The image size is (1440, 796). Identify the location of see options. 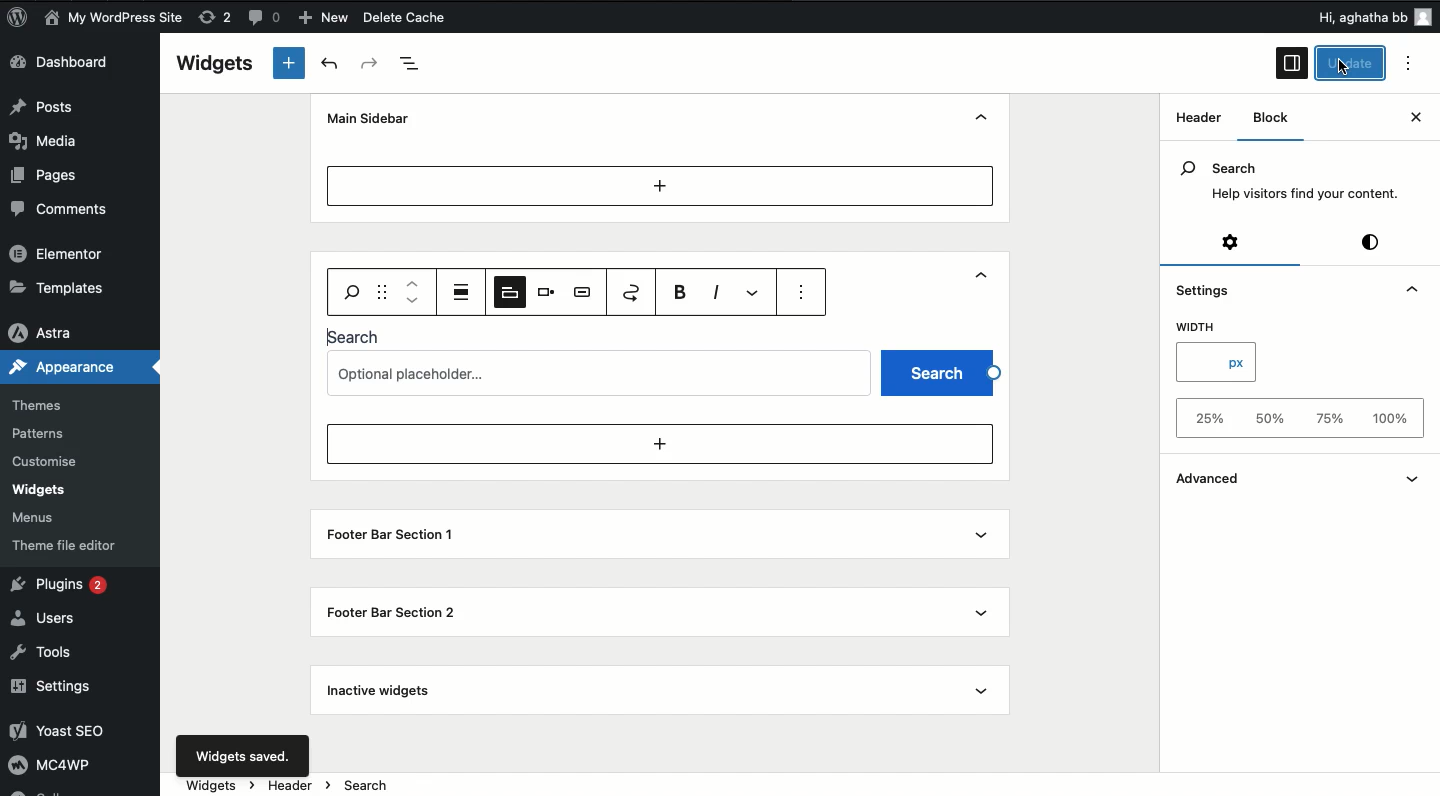
(805, 294).